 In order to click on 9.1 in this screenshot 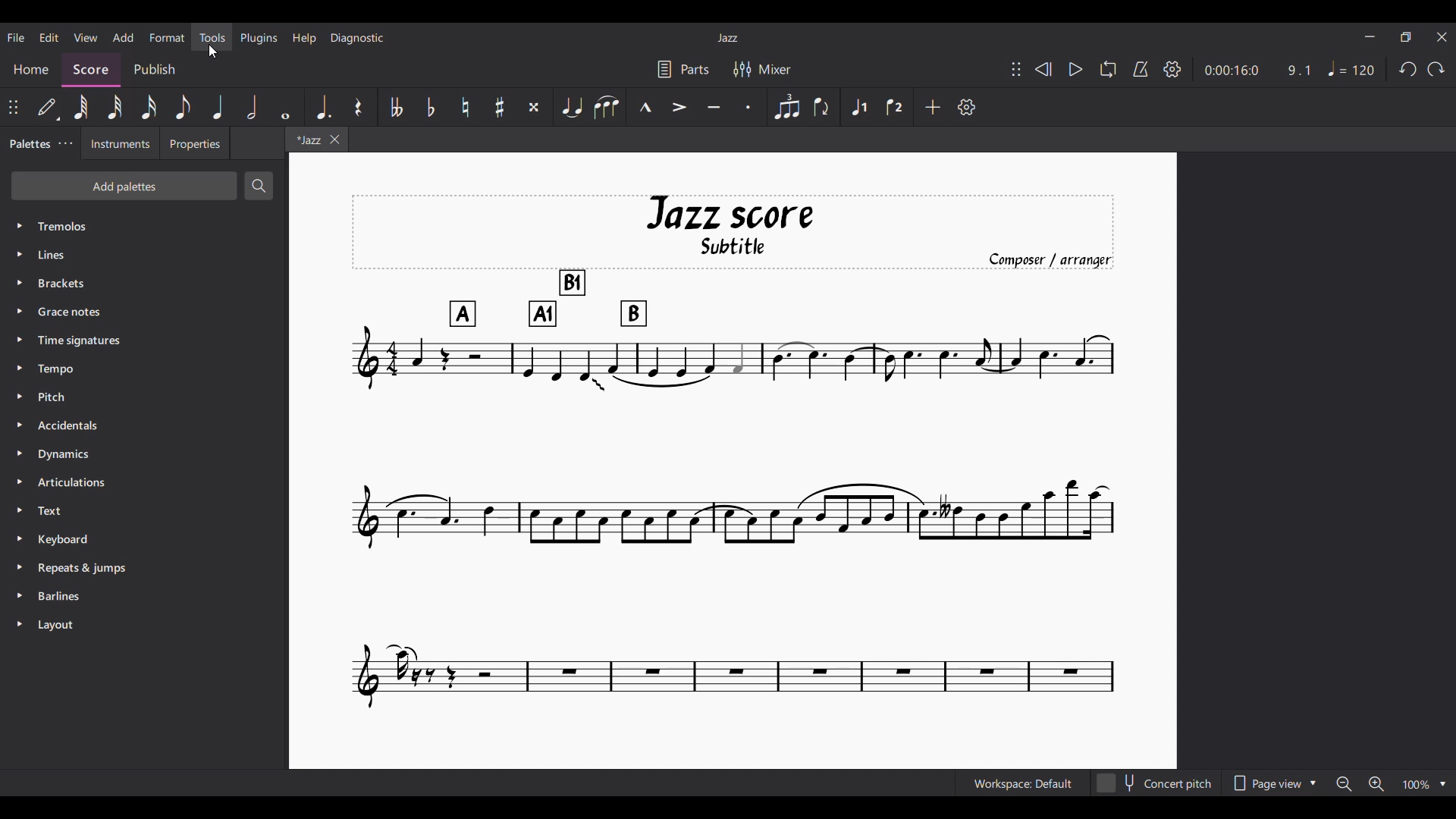, I will do `click(1299, 71)`.